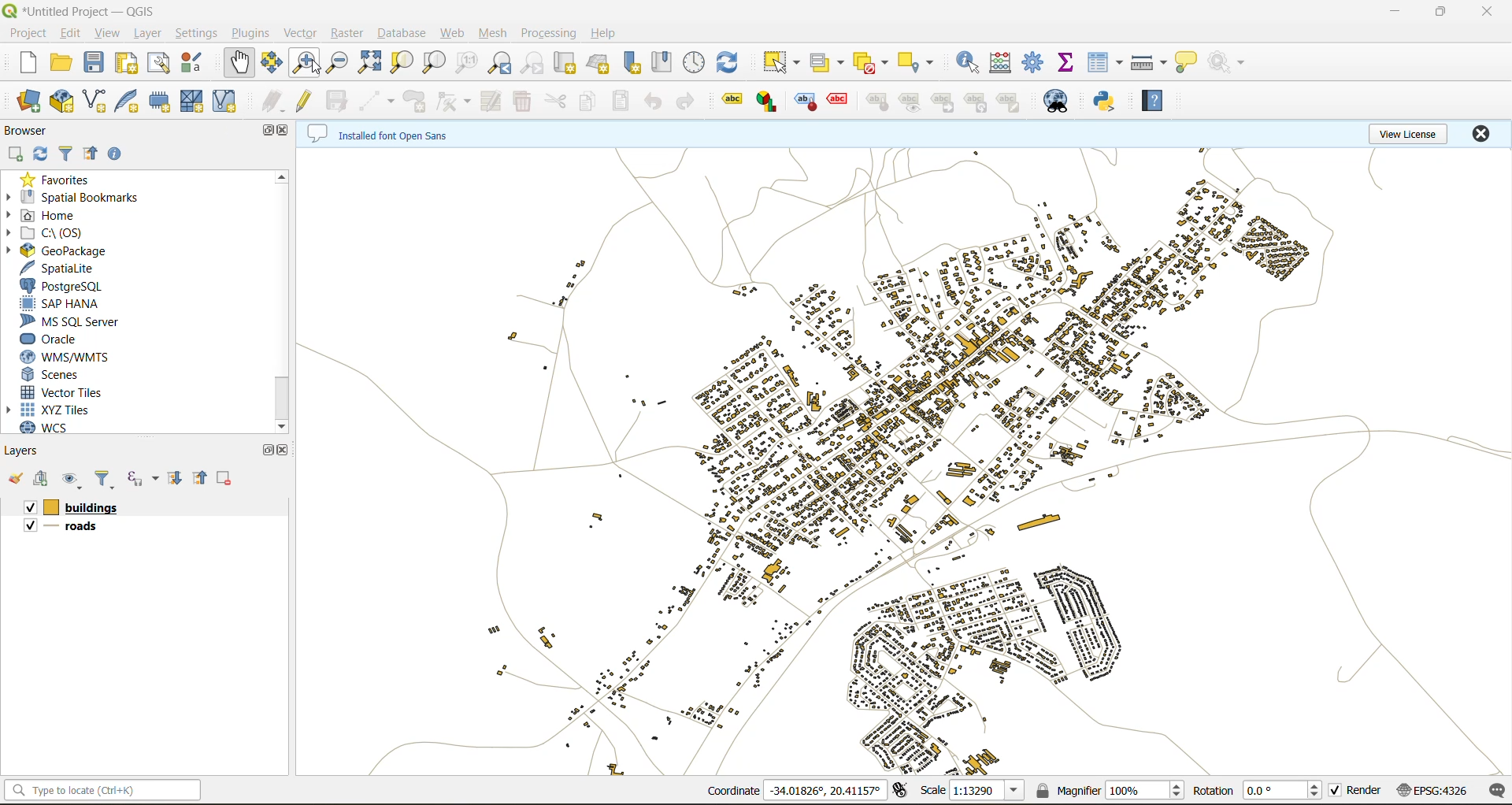  Describe the element at coordinates (227, 105) in the screenshot. I see `new virtual layer` at that location.